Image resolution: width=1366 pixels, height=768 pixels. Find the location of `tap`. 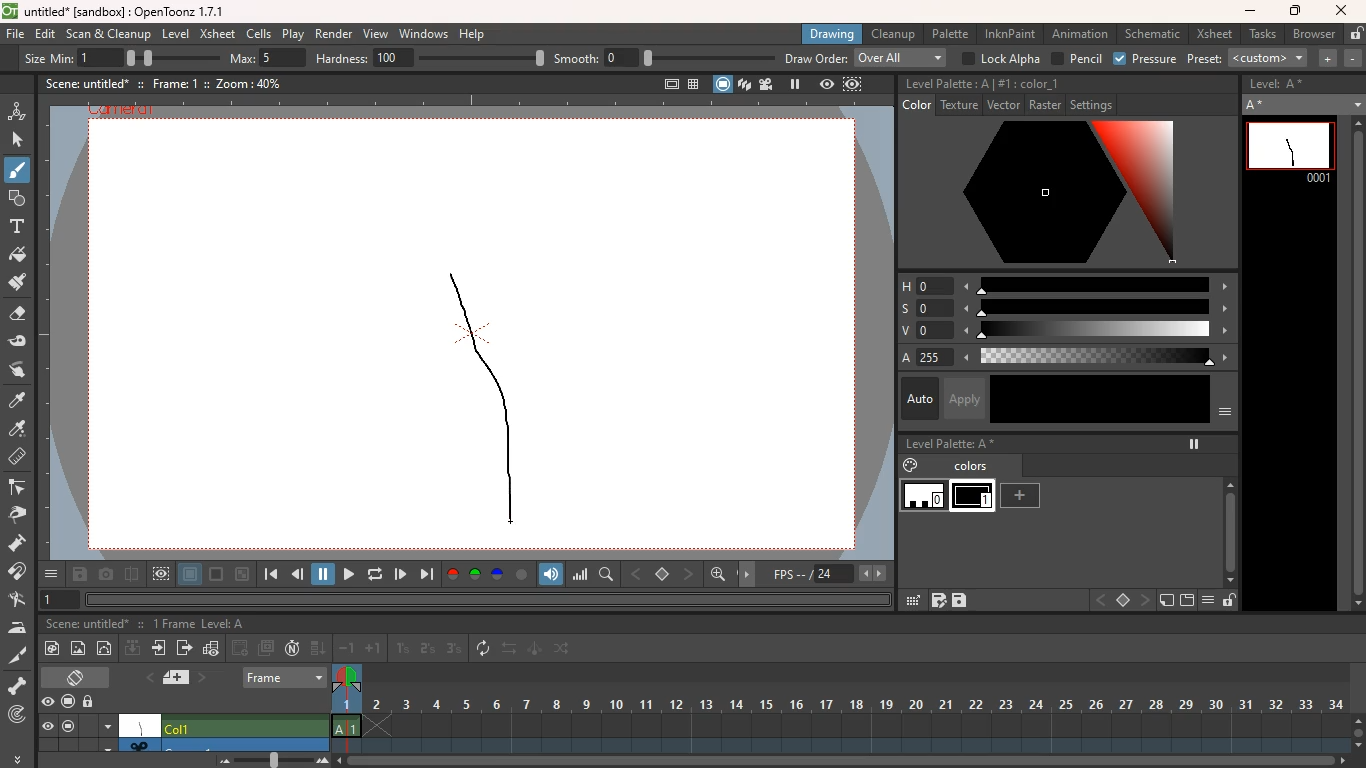

tap is located at coordinates (20, 601).